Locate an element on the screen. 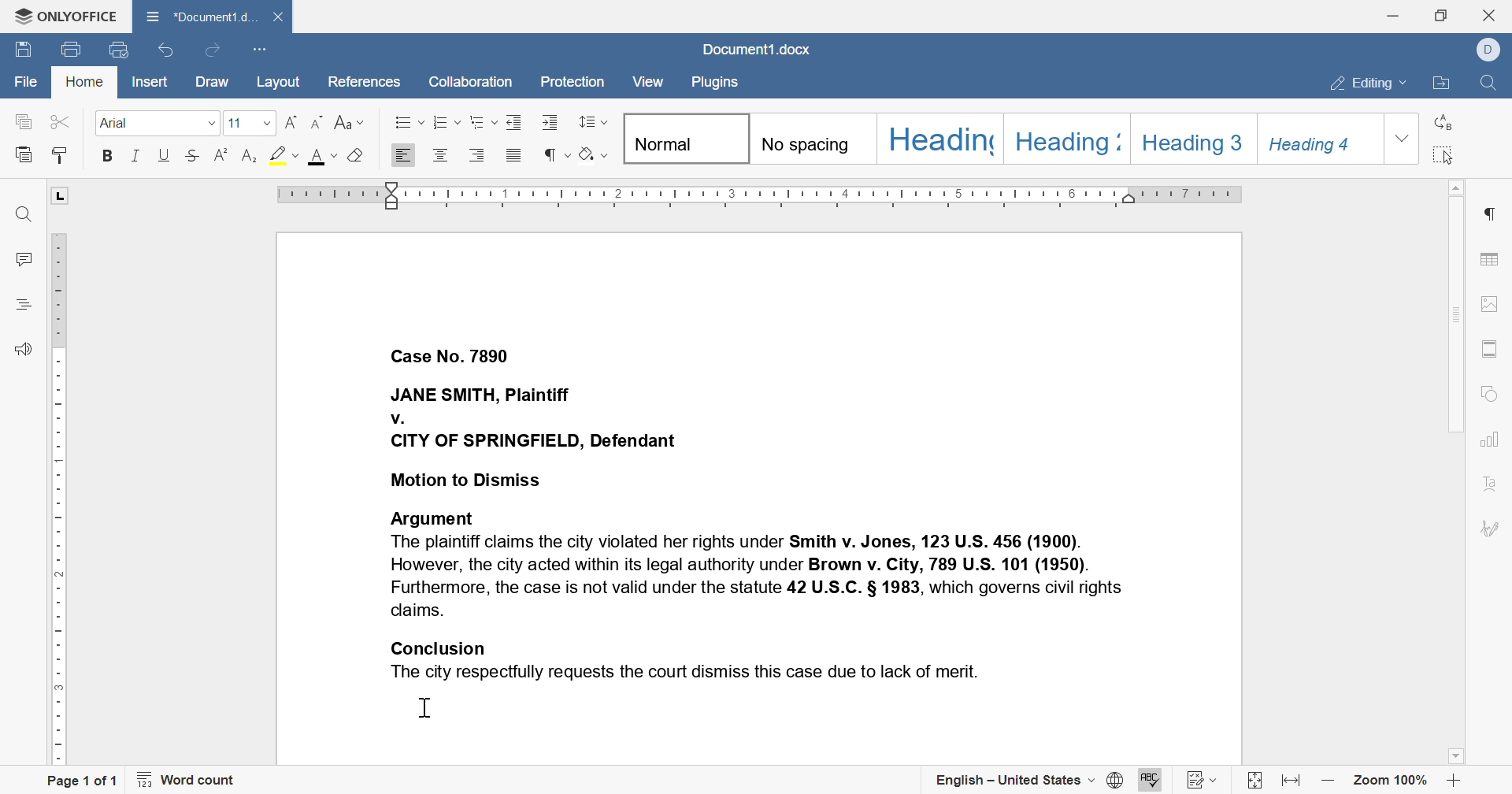  change case is located at coordinates (350, 122).